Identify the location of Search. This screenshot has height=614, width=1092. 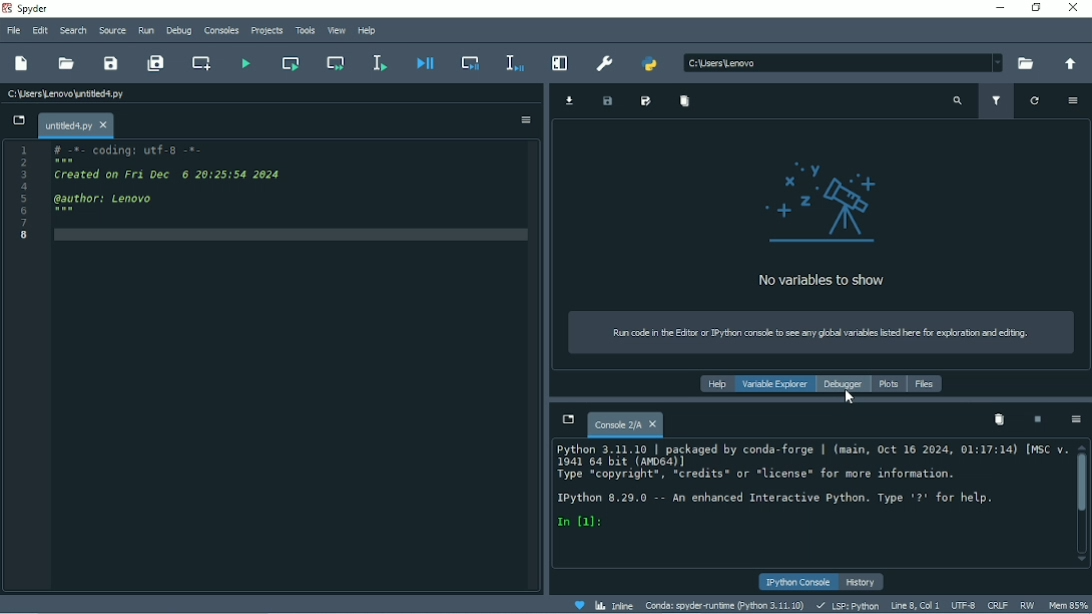
(73, 30).